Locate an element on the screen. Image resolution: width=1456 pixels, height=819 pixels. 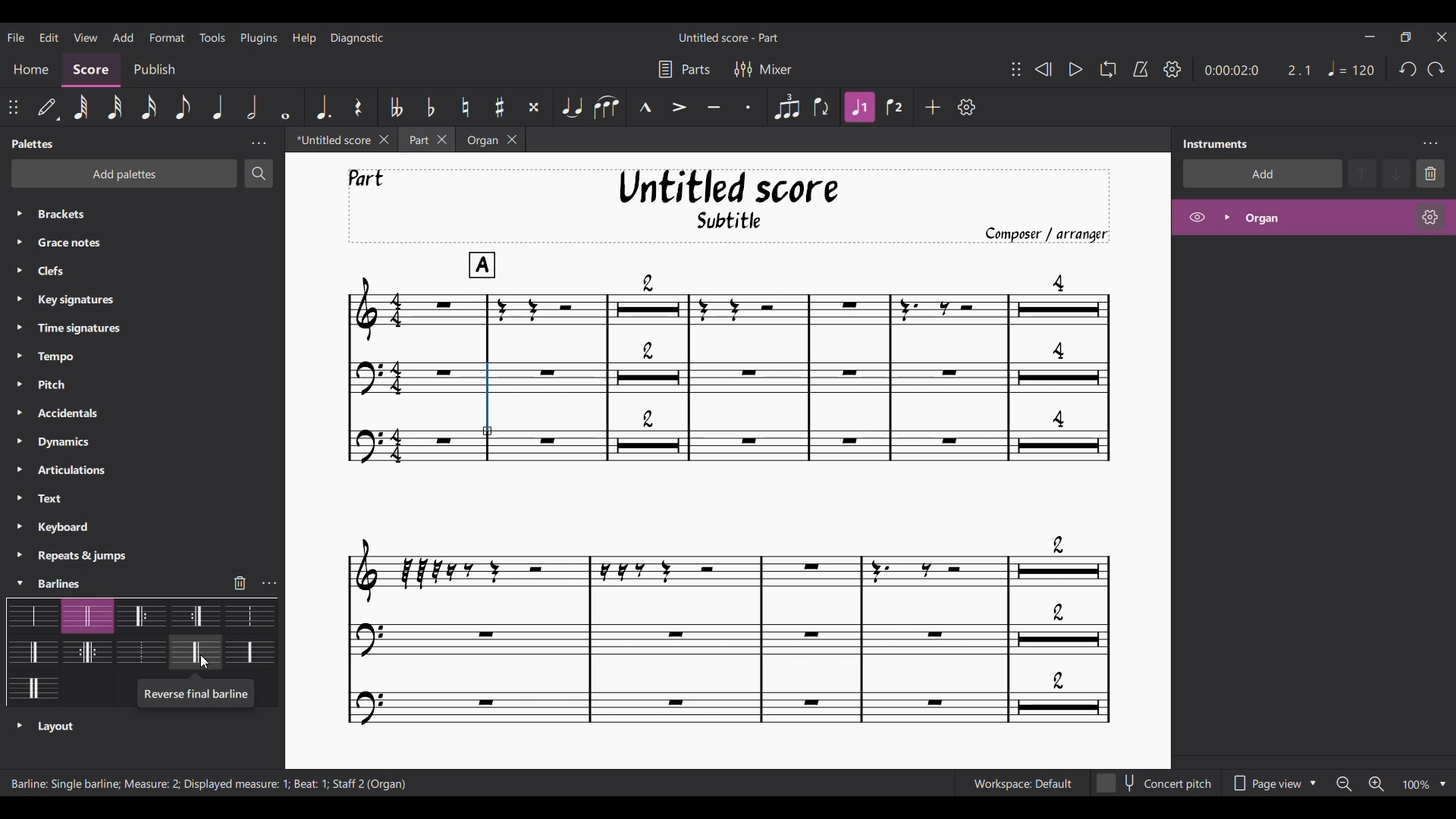
Publish section is located at coordinates (157, 71).